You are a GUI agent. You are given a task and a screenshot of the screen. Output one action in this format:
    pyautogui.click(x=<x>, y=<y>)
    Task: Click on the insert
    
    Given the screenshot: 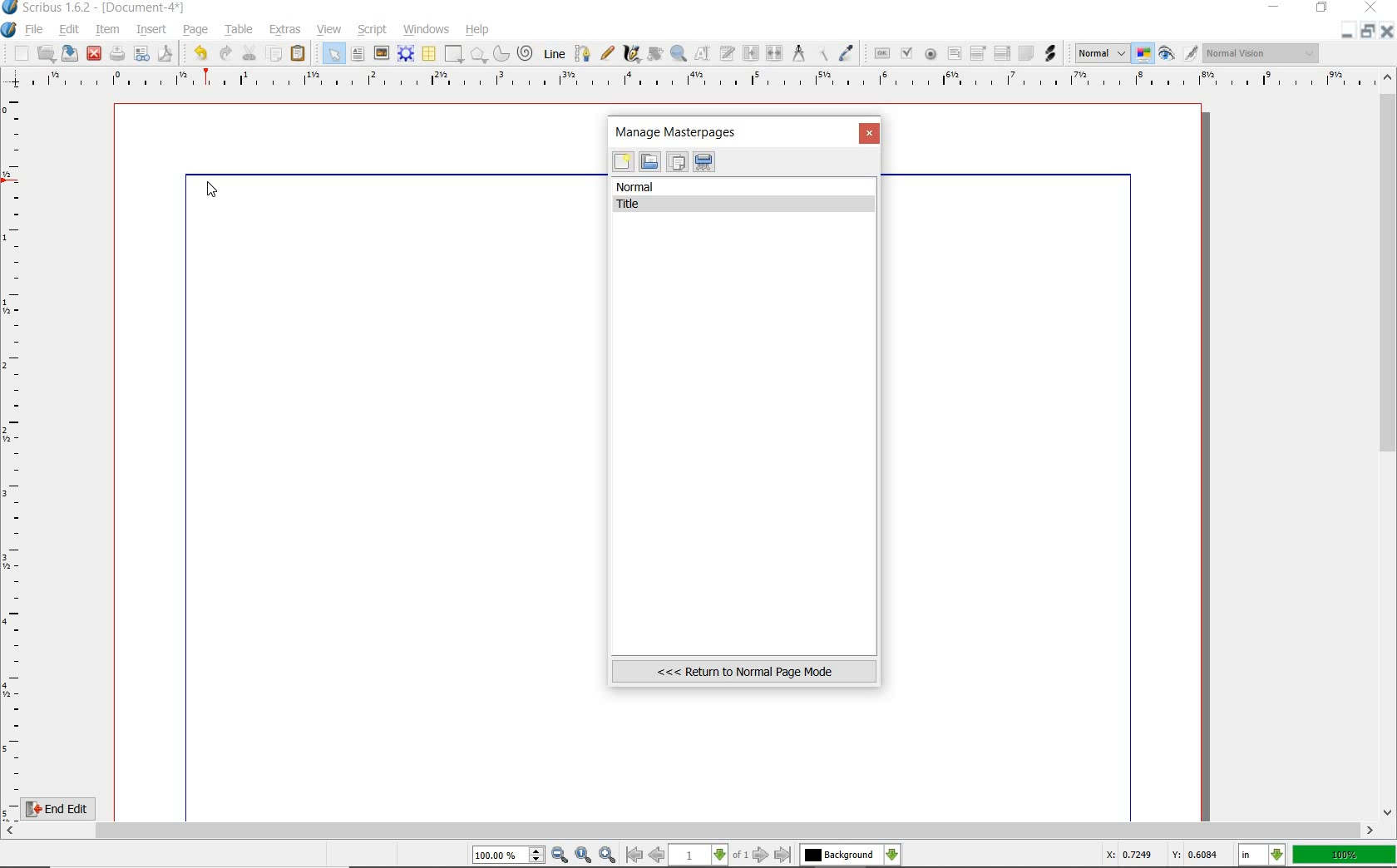 What is the action you would take?
    pyautogui.click(x=151, y=29)
    